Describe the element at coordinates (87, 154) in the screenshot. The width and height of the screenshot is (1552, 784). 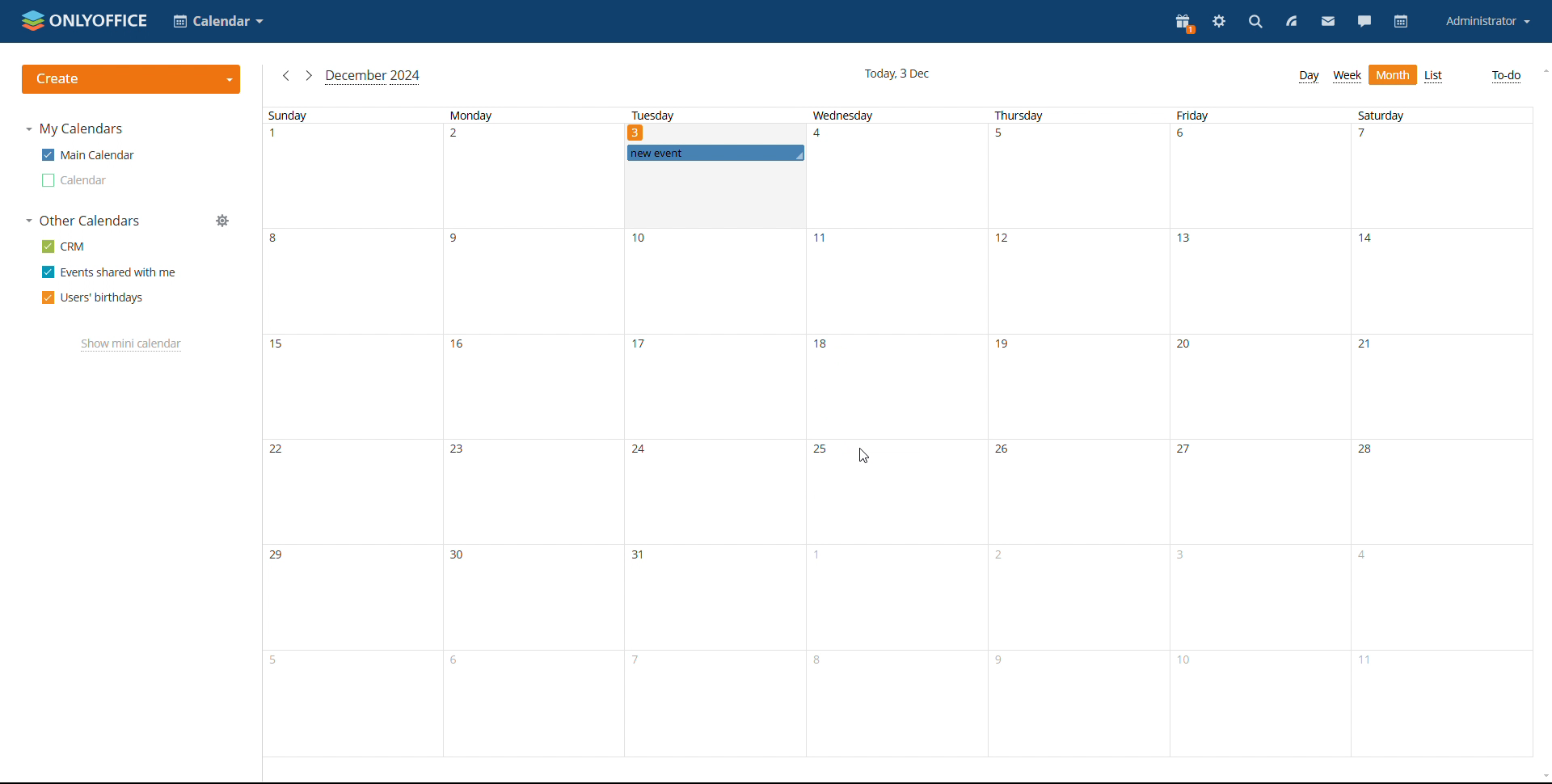
I see `main calendar` at that location.